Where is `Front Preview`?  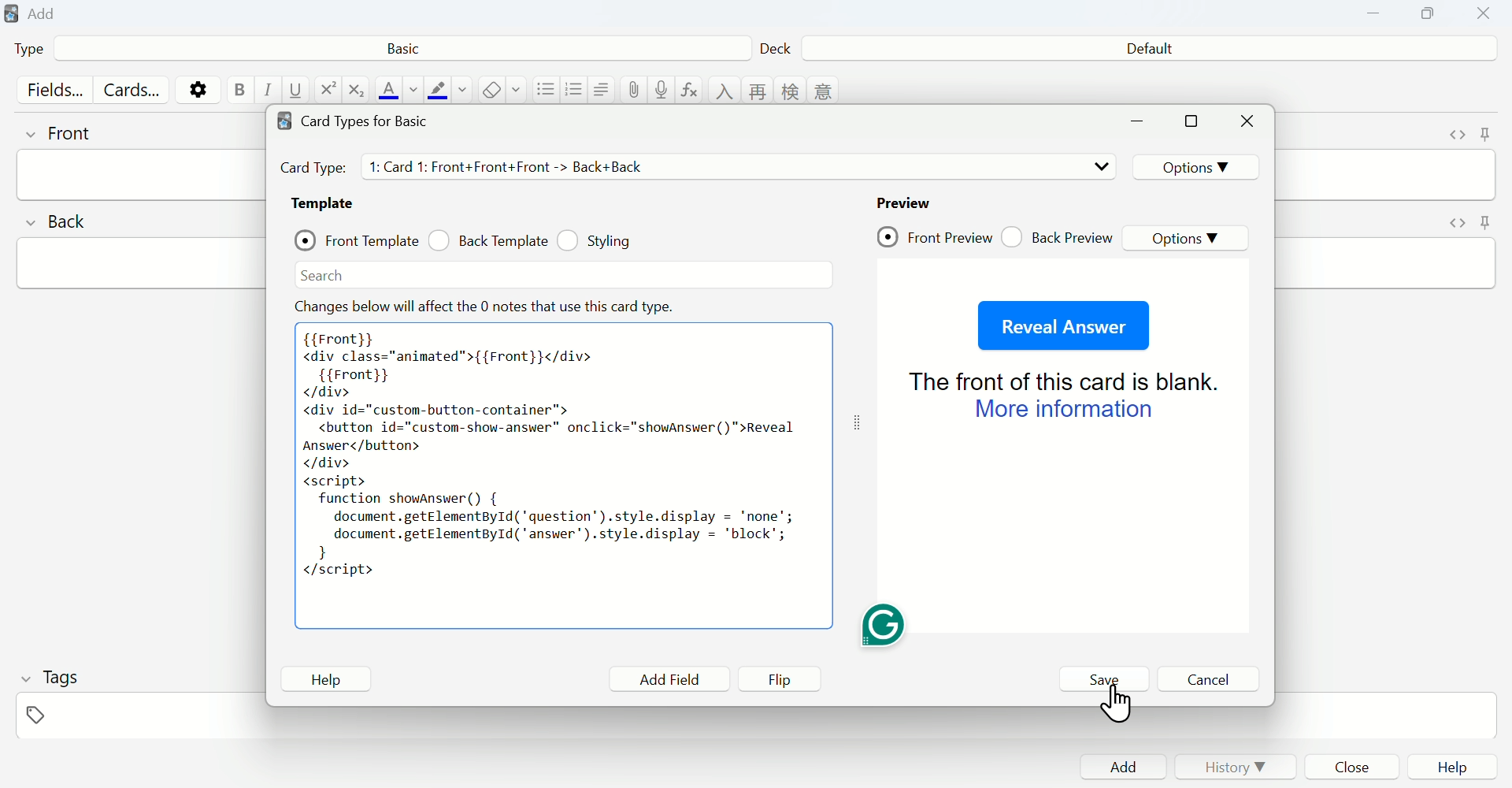 Front Preview is located at coordinates (935, 237).